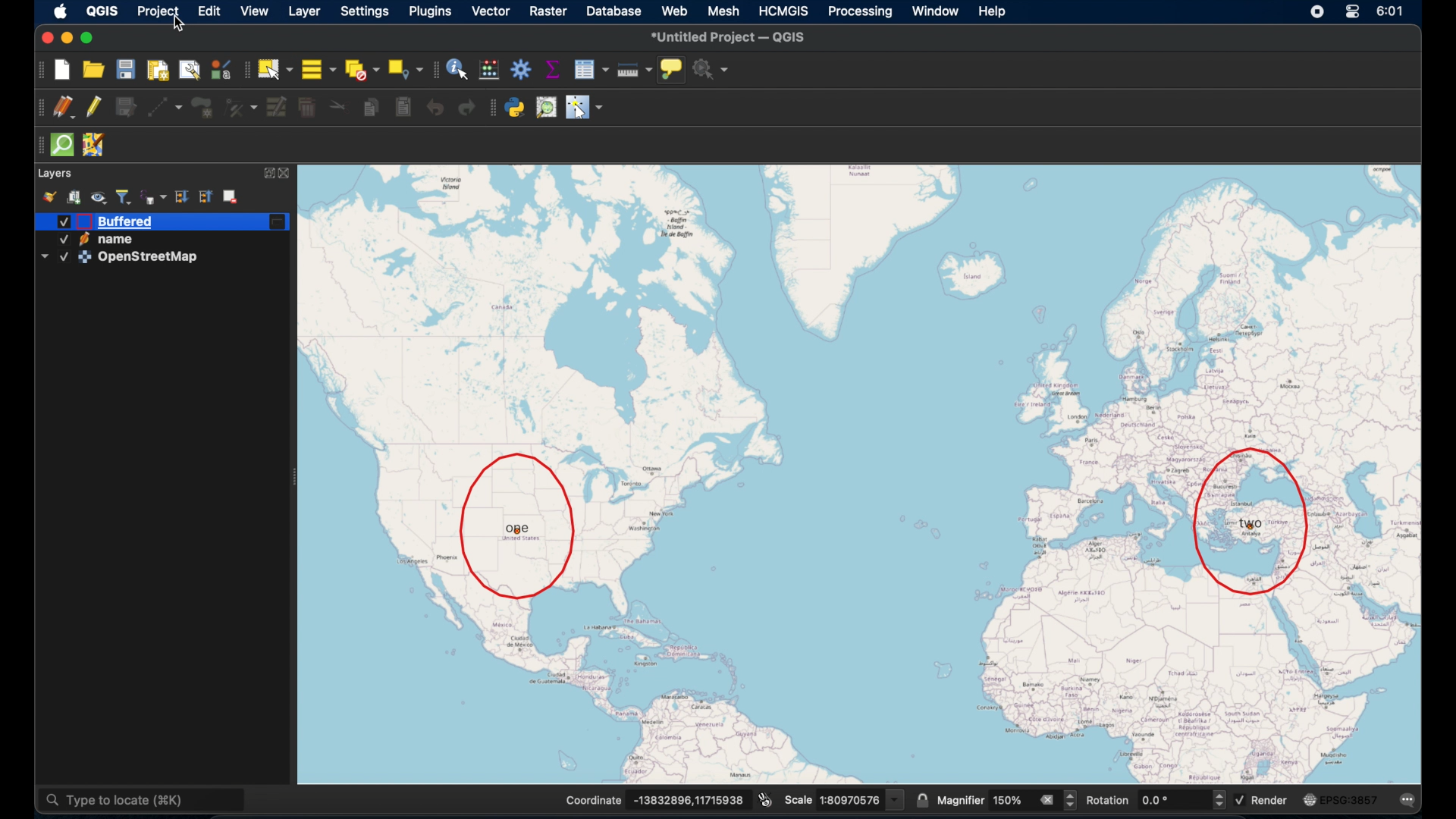  I want to click on open project, so click(97, 67).